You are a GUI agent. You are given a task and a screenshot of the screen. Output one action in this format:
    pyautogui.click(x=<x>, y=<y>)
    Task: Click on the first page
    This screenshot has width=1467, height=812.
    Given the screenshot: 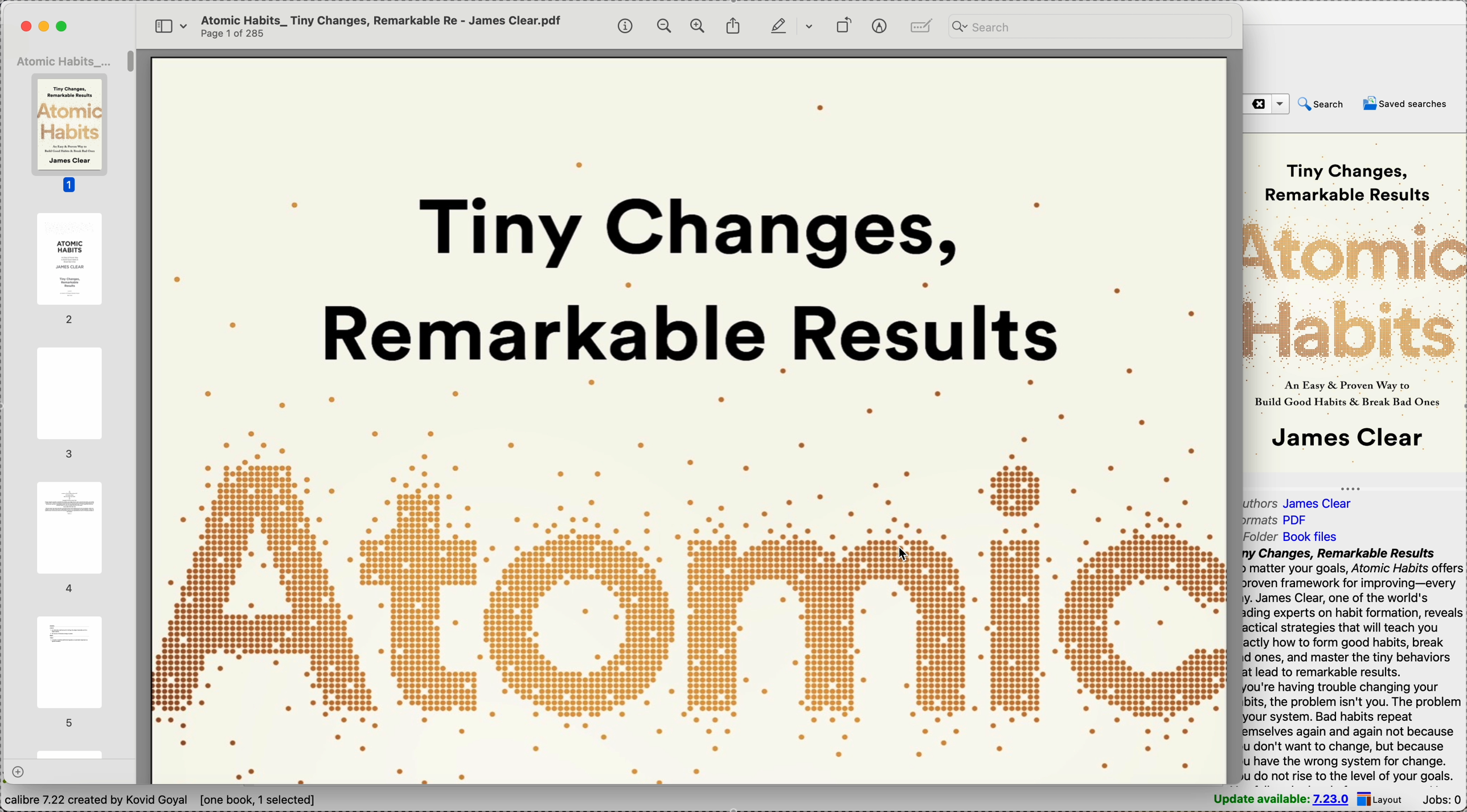 What is the action you would take?
    pyautogui.click(x=71, y=134)
    